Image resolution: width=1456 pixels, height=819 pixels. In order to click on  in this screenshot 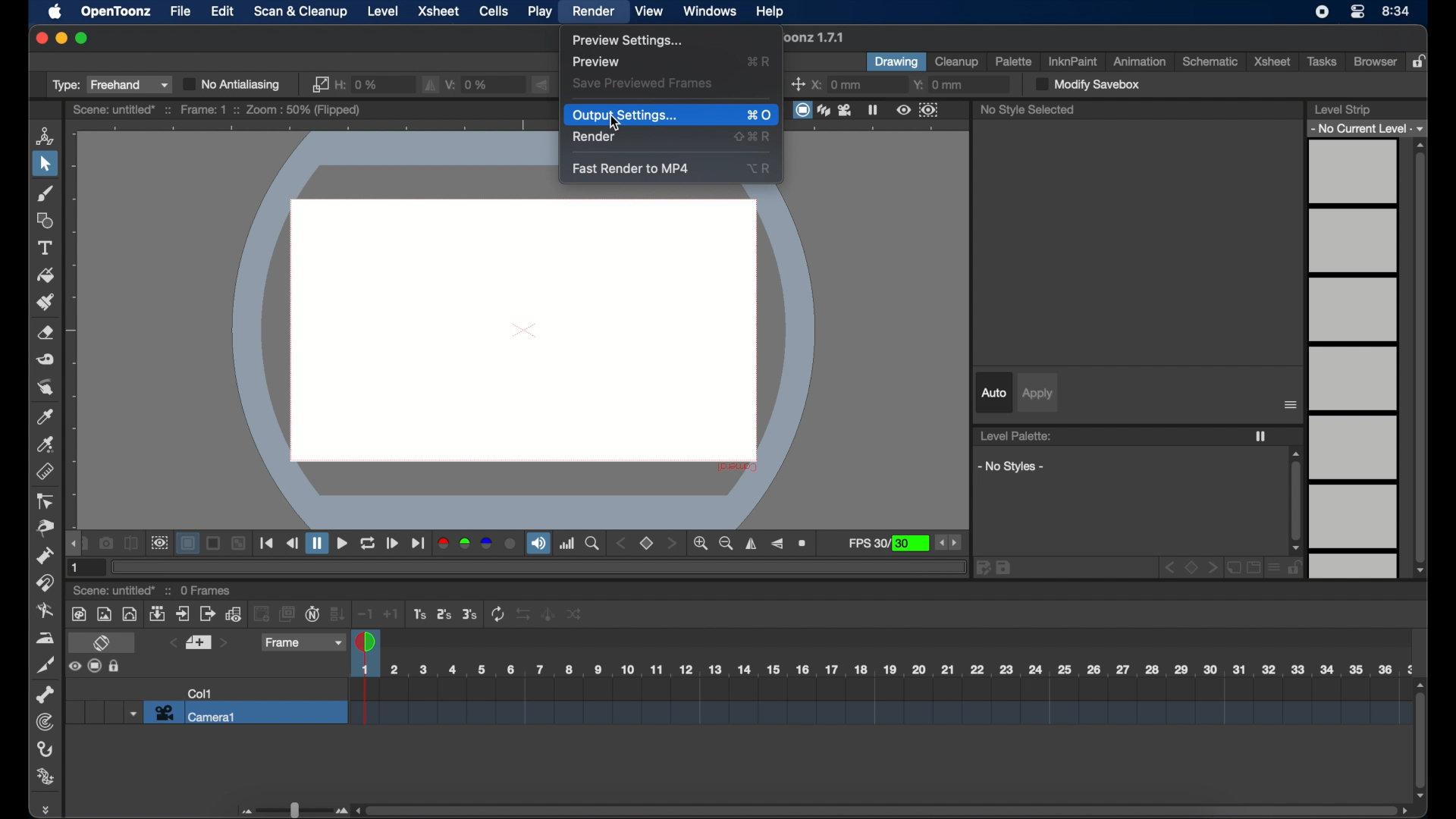, I will do `click(215, 544)`.